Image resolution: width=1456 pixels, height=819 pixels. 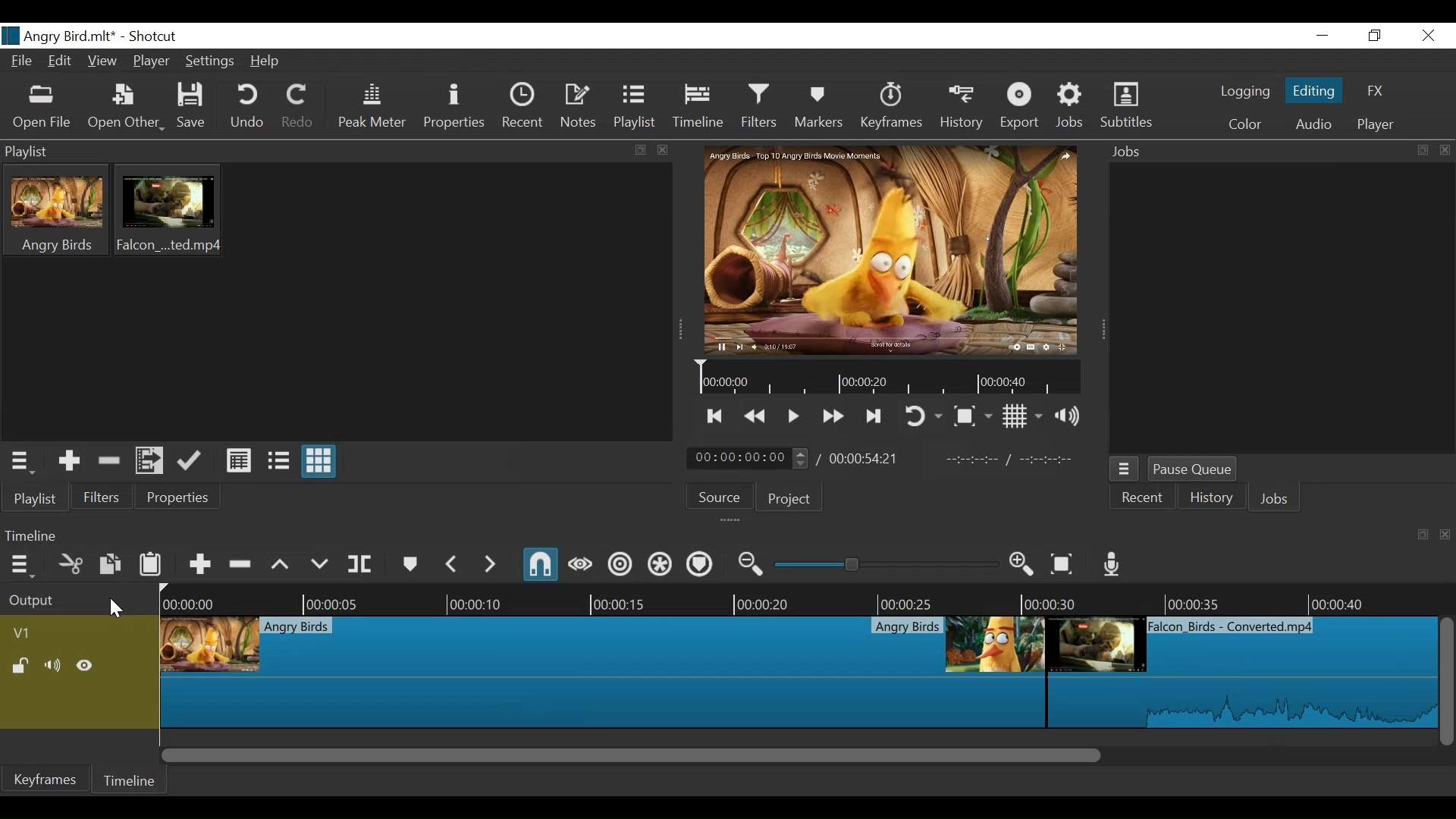 What do you see at coordinates (1246, 126) in the screenshot?
I see `Color` at bounding box center [1246, 126].